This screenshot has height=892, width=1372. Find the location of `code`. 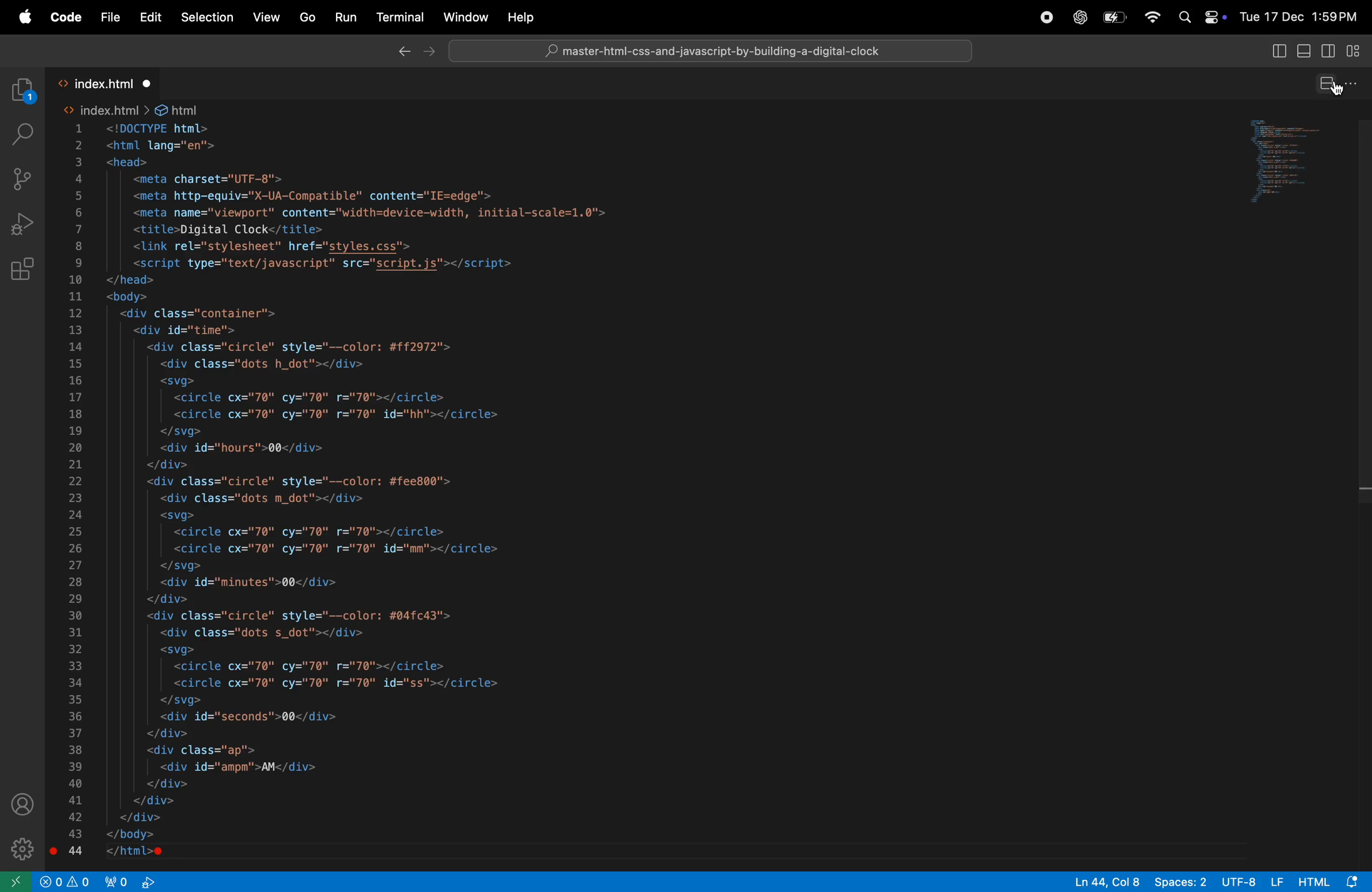

code is located at coordinates (65, 18).